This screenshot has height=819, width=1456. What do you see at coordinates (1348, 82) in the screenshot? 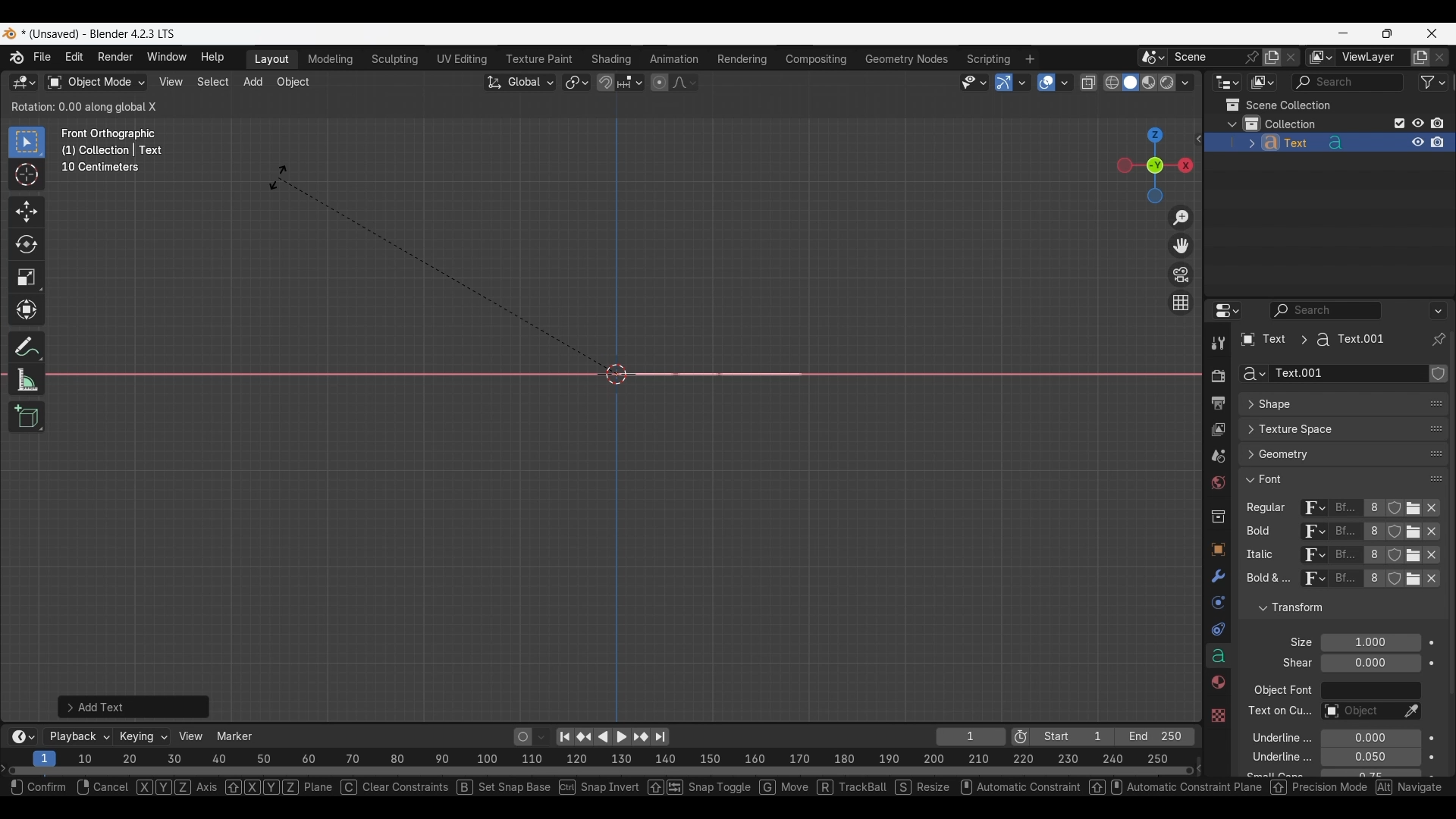
I see `Display filter` at bounding box center [1348, 82].